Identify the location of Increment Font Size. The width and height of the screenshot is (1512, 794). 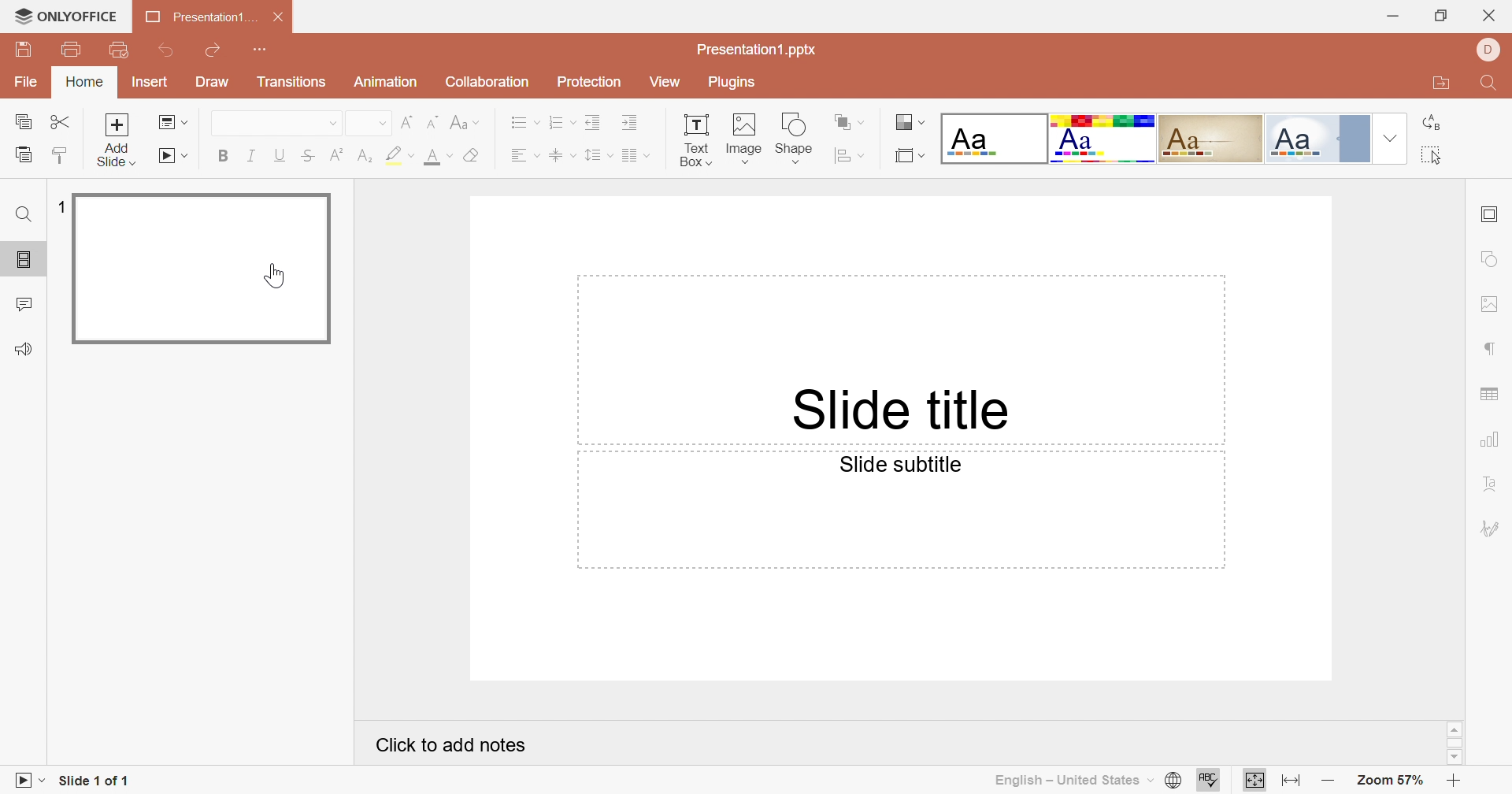
(407, 121).